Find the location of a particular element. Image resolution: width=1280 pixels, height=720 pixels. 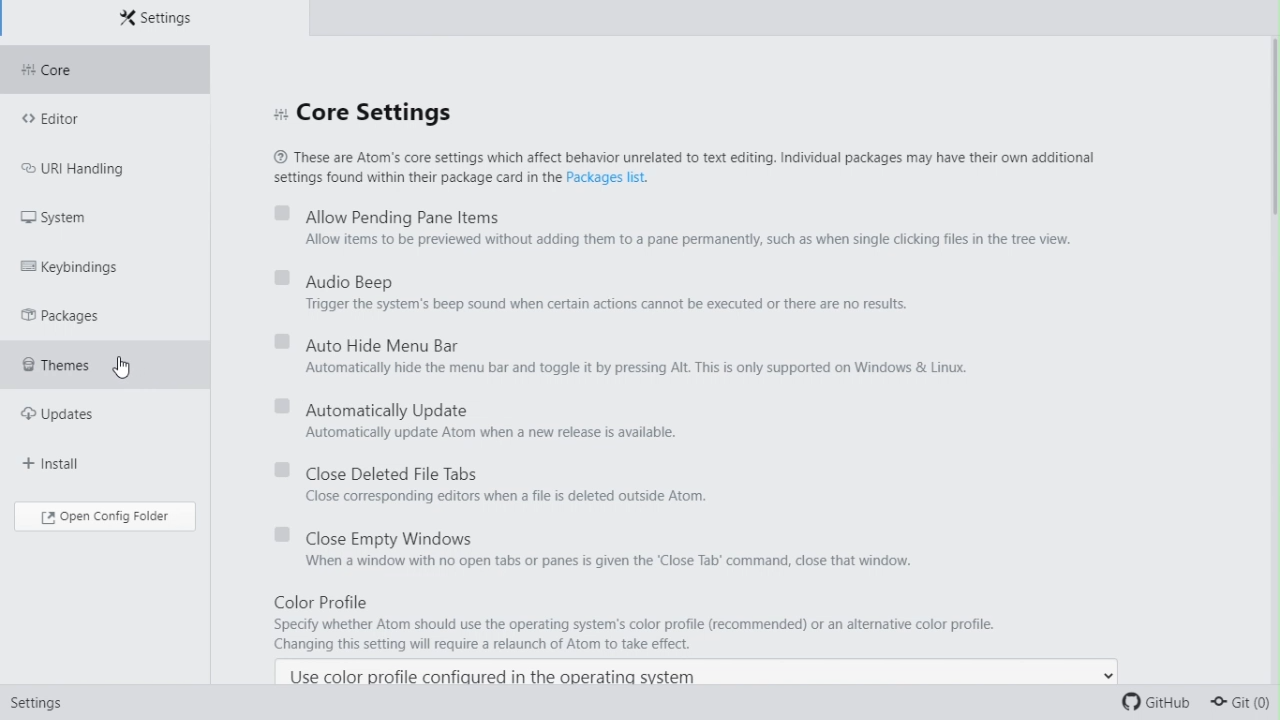

System is located at coordinates (66, 218).